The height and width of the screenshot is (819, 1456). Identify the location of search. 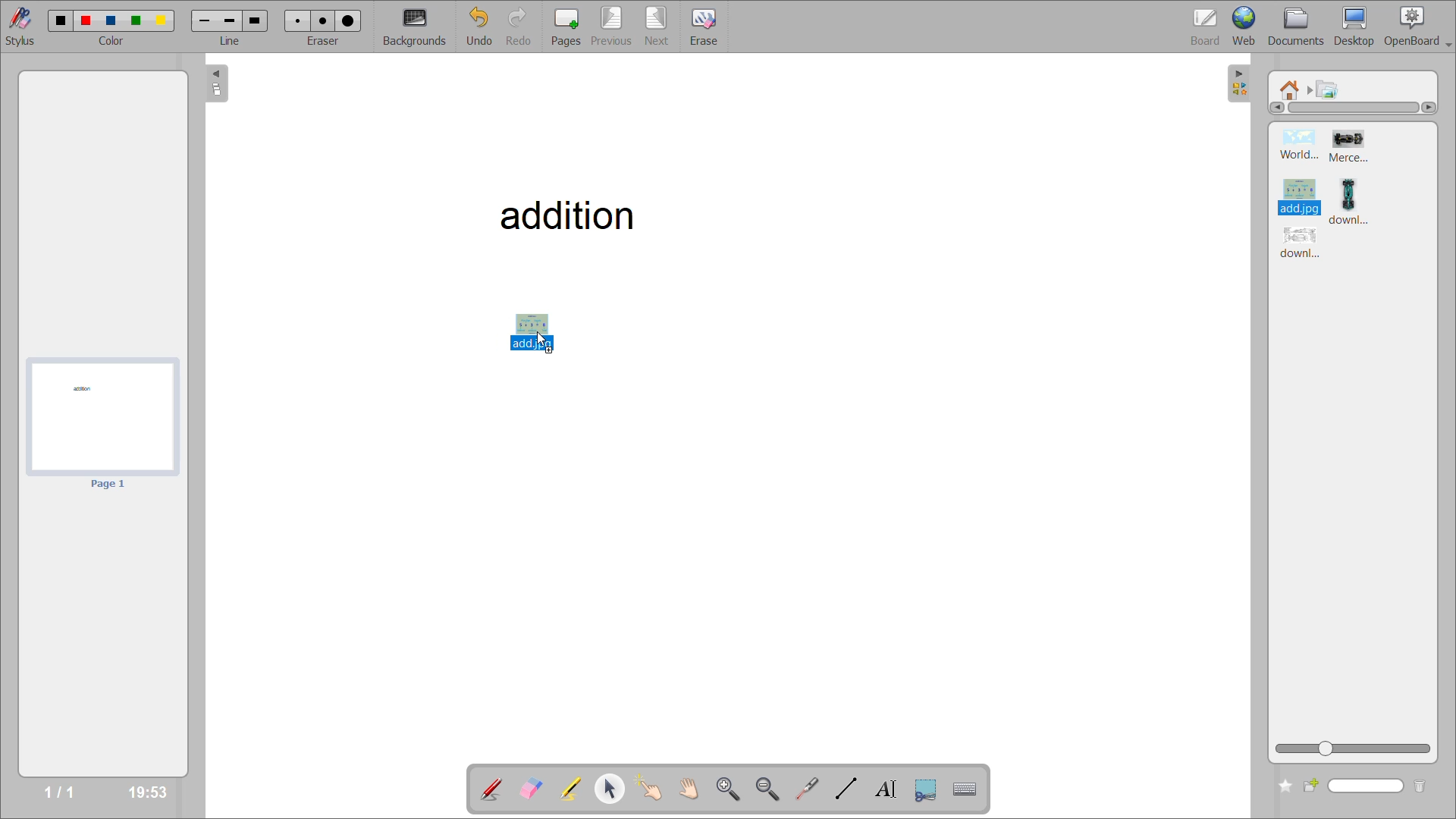
(1355, 787).